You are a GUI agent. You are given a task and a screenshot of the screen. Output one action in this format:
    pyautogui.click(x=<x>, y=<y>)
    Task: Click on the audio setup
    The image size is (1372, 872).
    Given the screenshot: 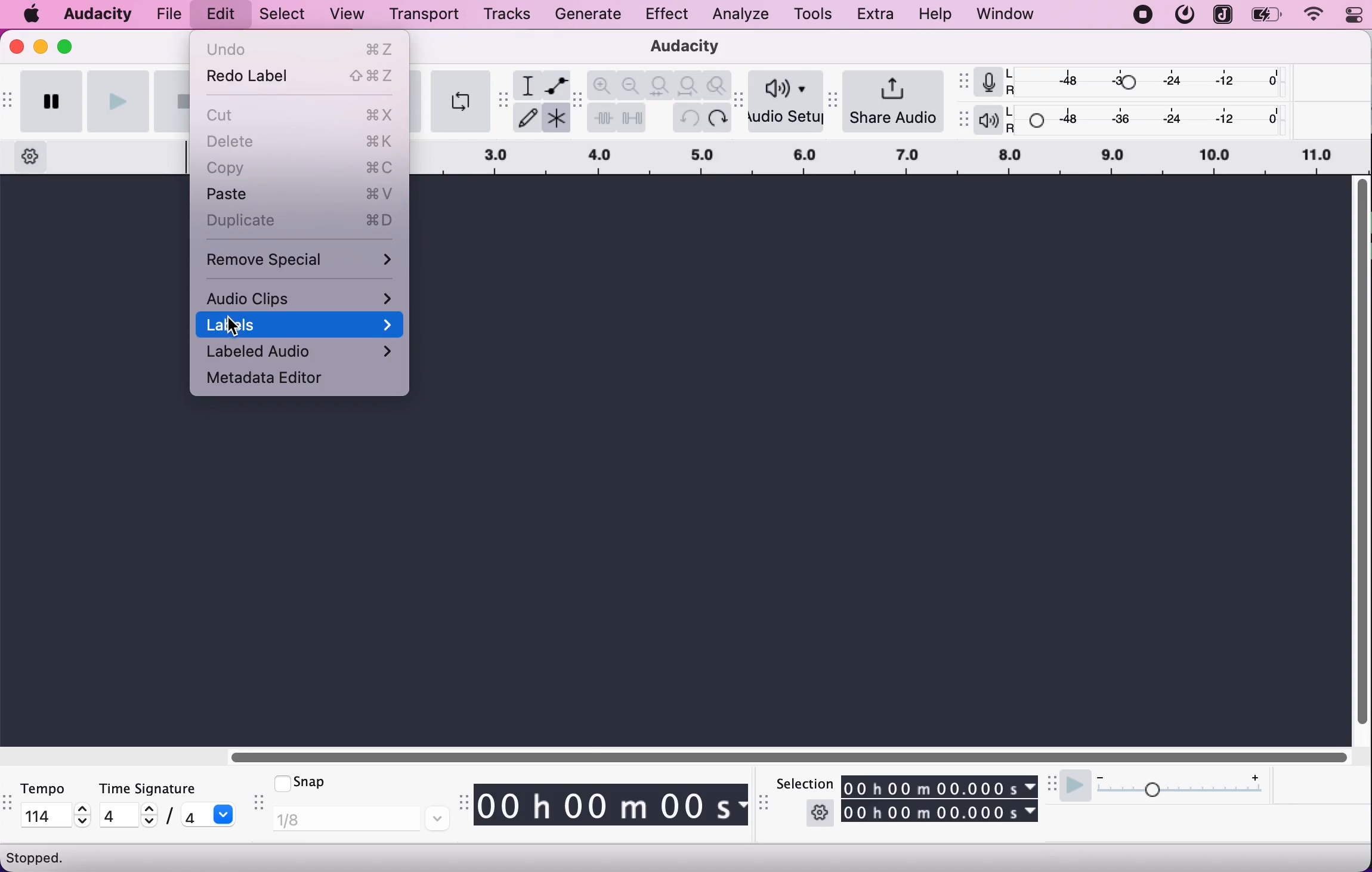 What is the action you would take?
    pyautogui.click(x=787, y=103)
    